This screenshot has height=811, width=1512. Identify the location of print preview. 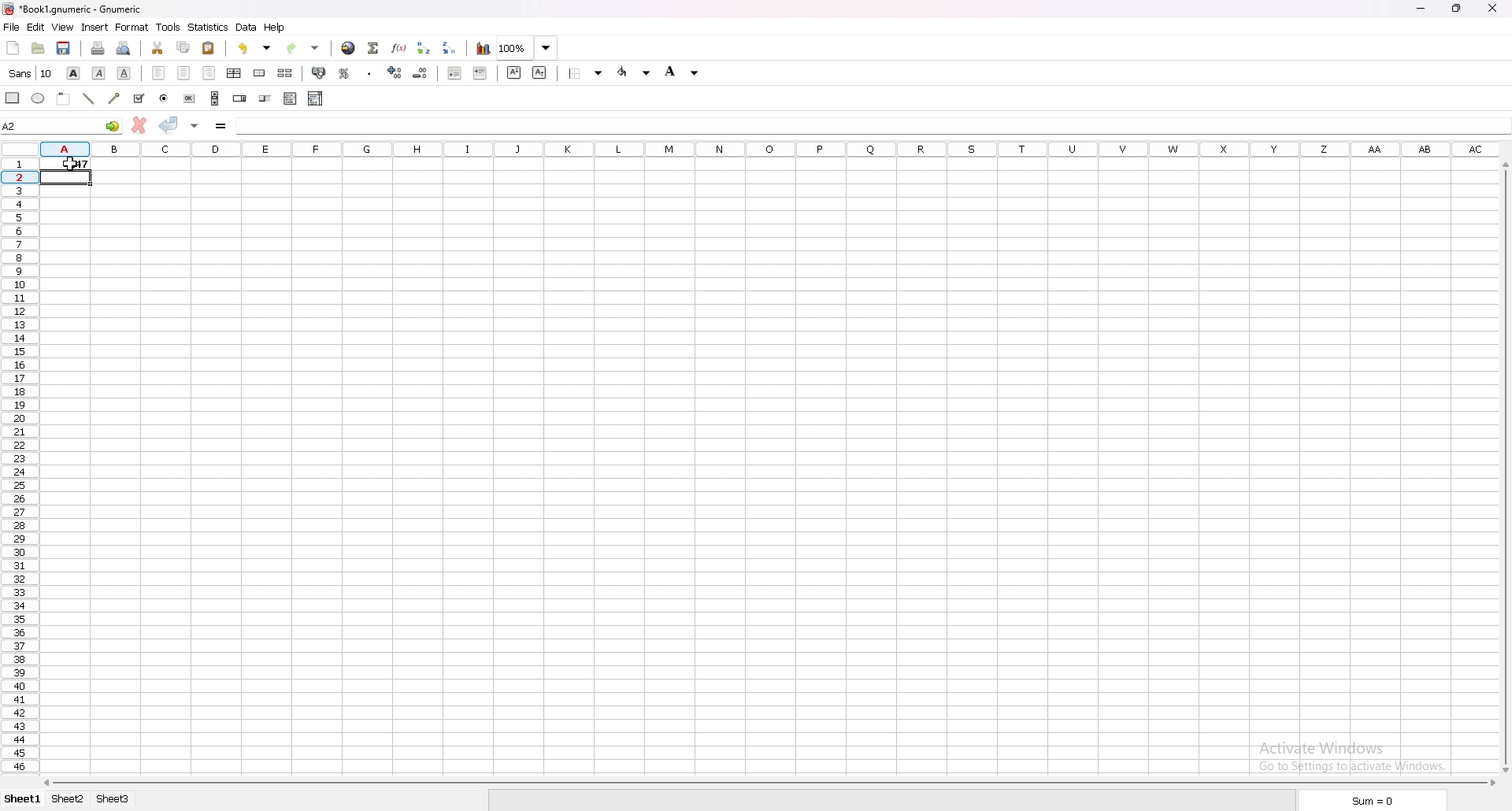
(124, 48).